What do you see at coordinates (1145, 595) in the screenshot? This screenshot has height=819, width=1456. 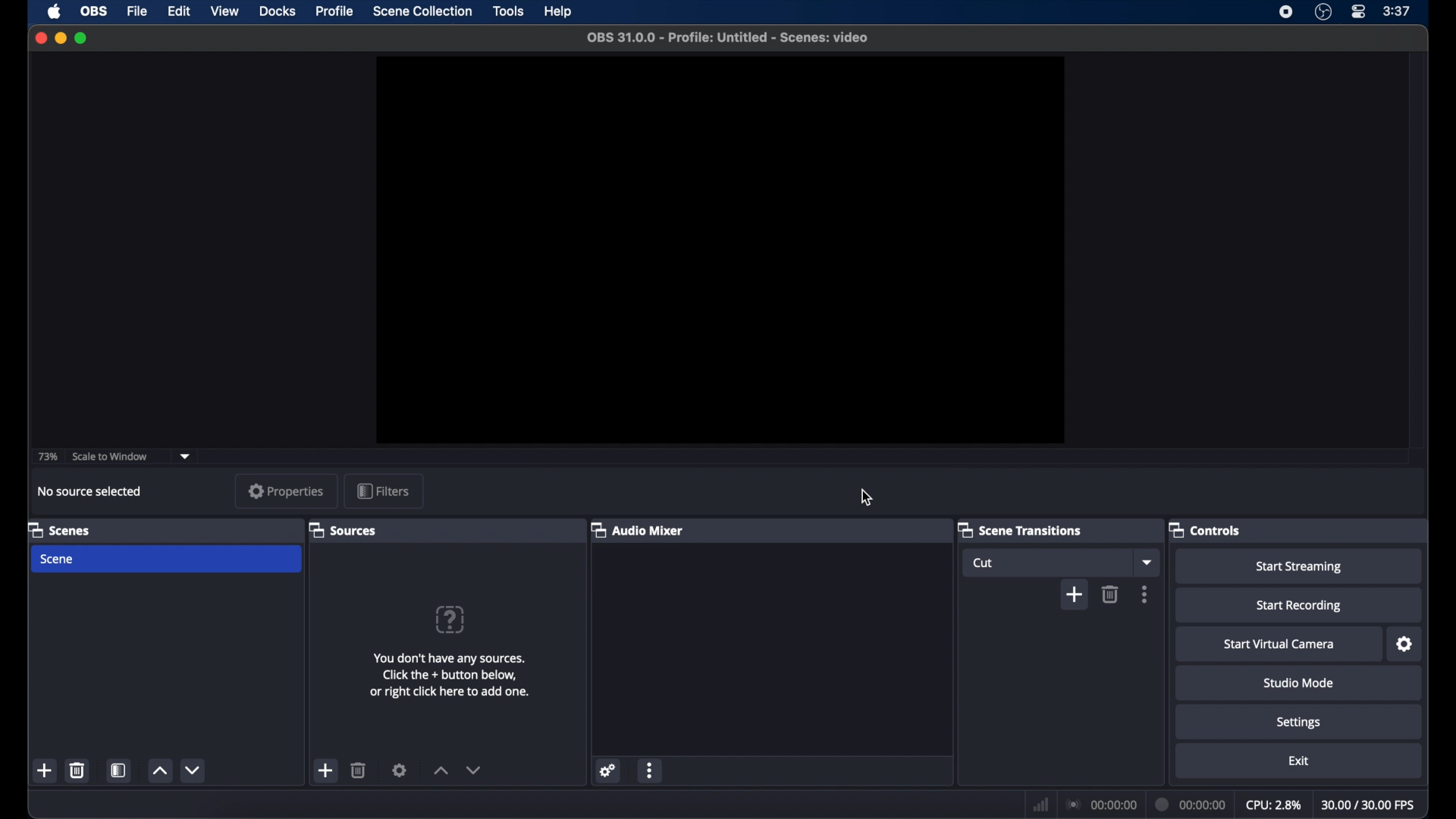 I see `more options` at bounding box center [1145, 595].